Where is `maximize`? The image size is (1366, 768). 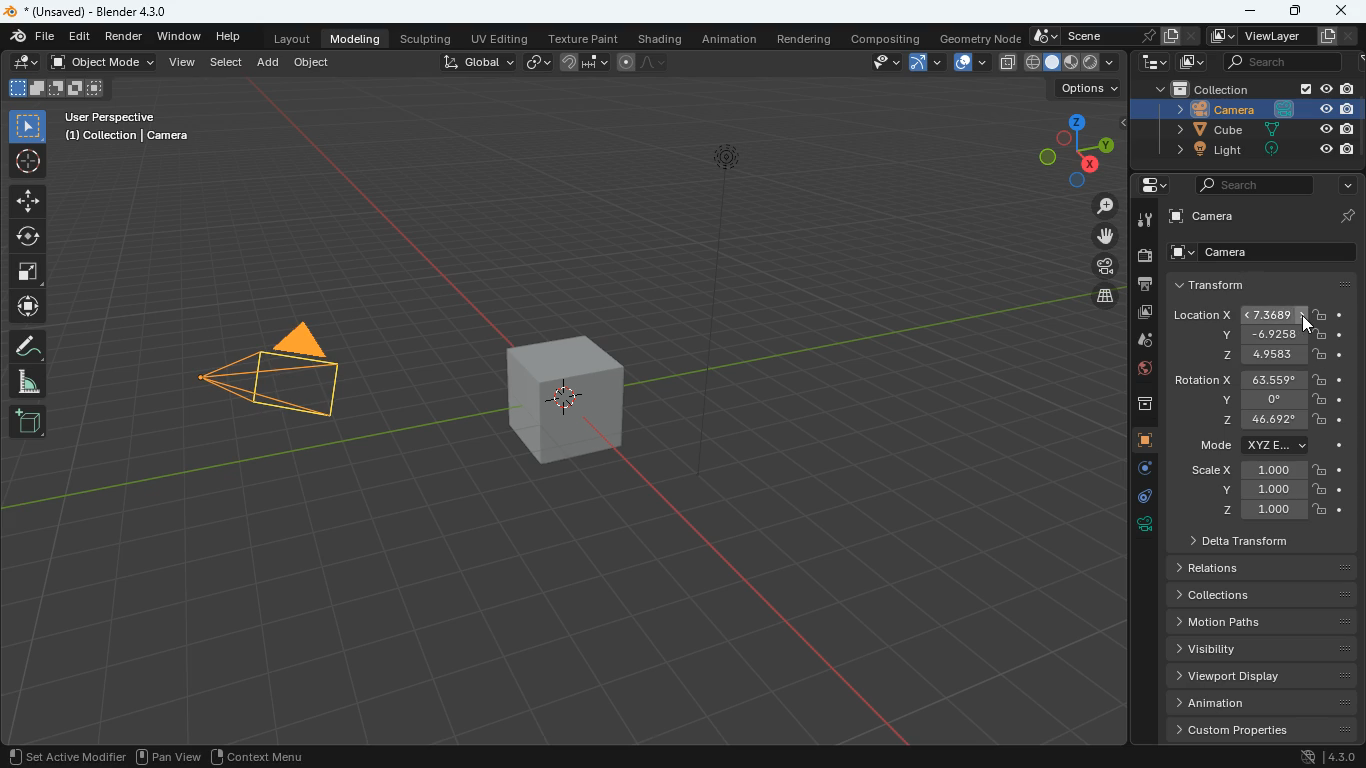 maximize is located at coordinates (1293, 10).